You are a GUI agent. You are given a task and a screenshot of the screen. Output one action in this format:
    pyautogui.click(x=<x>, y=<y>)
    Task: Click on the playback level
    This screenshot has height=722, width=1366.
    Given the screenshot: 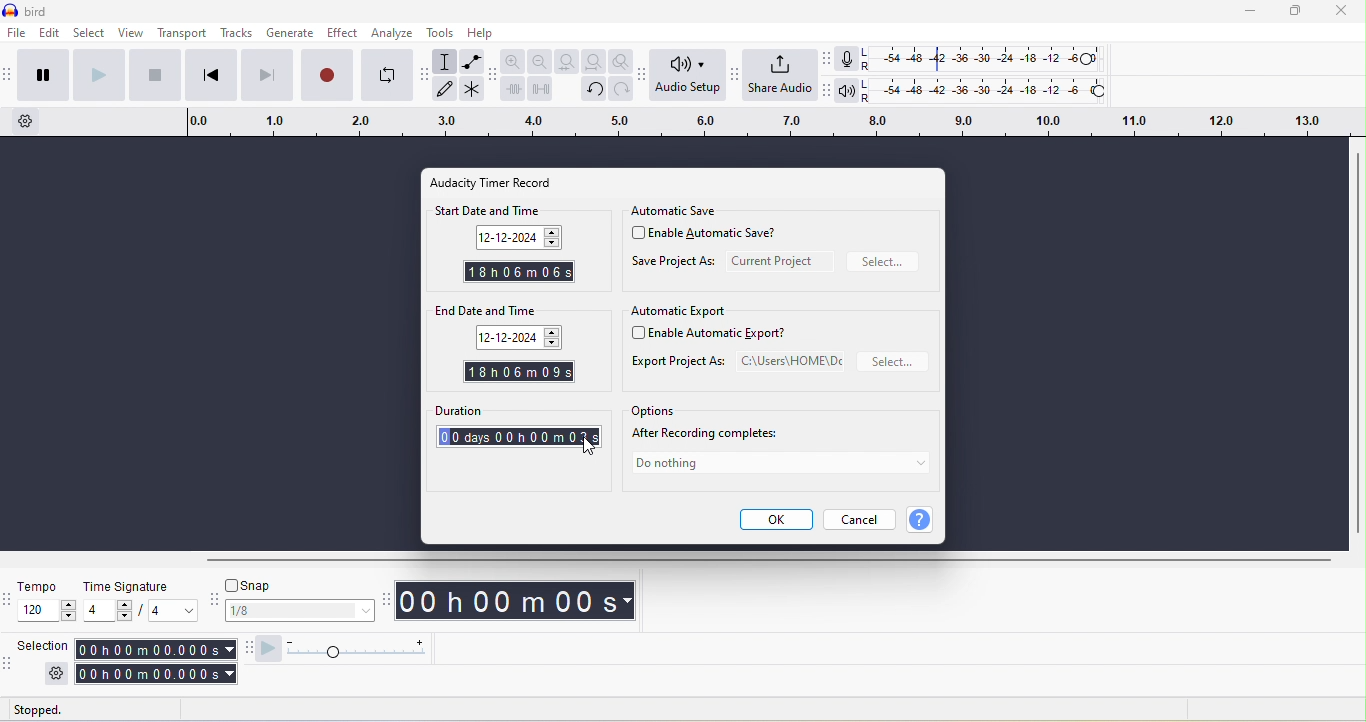 What is the action you would take?
    pyautogui.click(x=993, y=91)
    